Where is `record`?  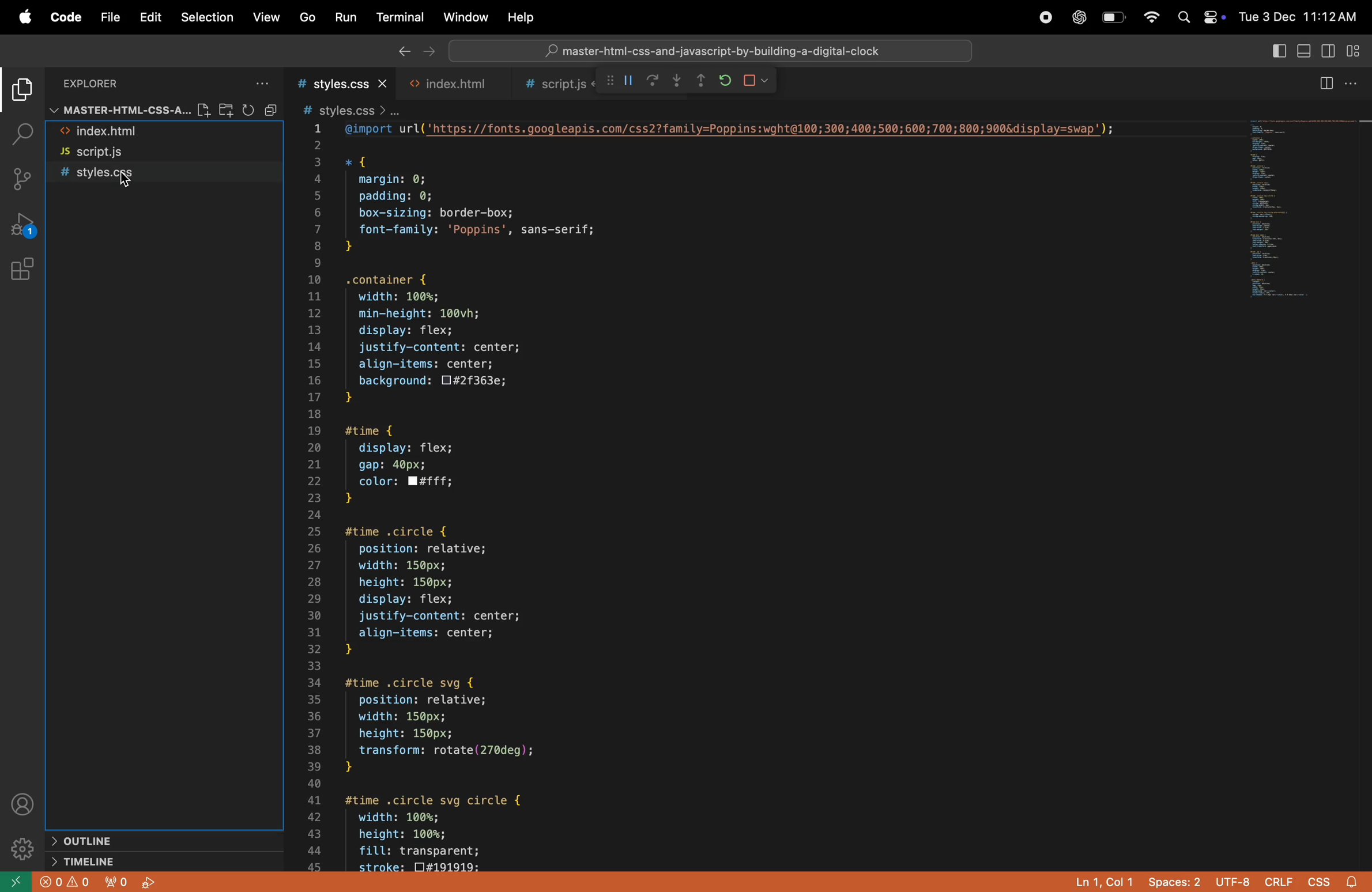
record is located at coordinates (1044, 17).